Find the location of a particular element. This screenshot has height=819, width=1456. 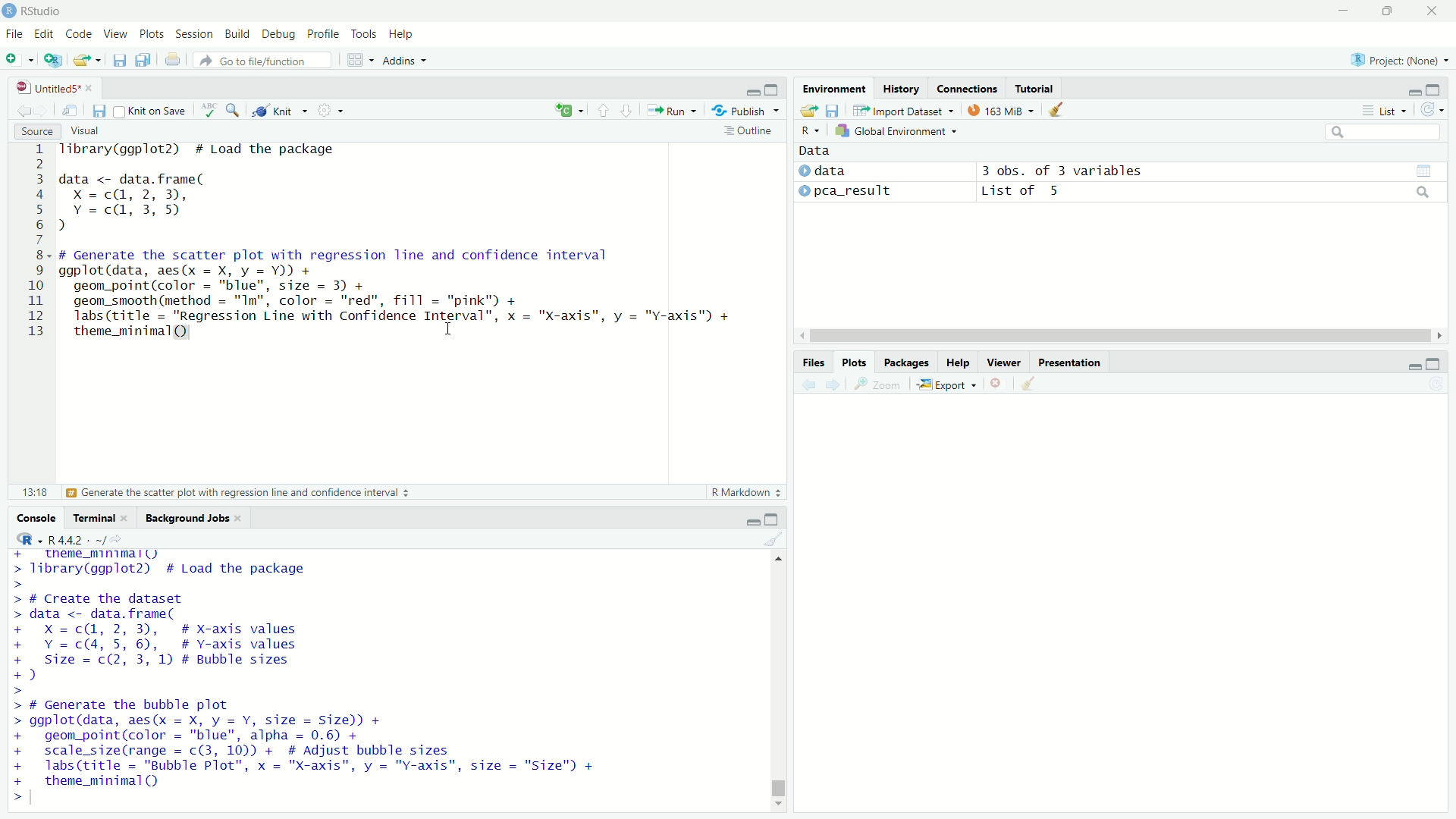

Show in new window is located at coordinates (70, 110).